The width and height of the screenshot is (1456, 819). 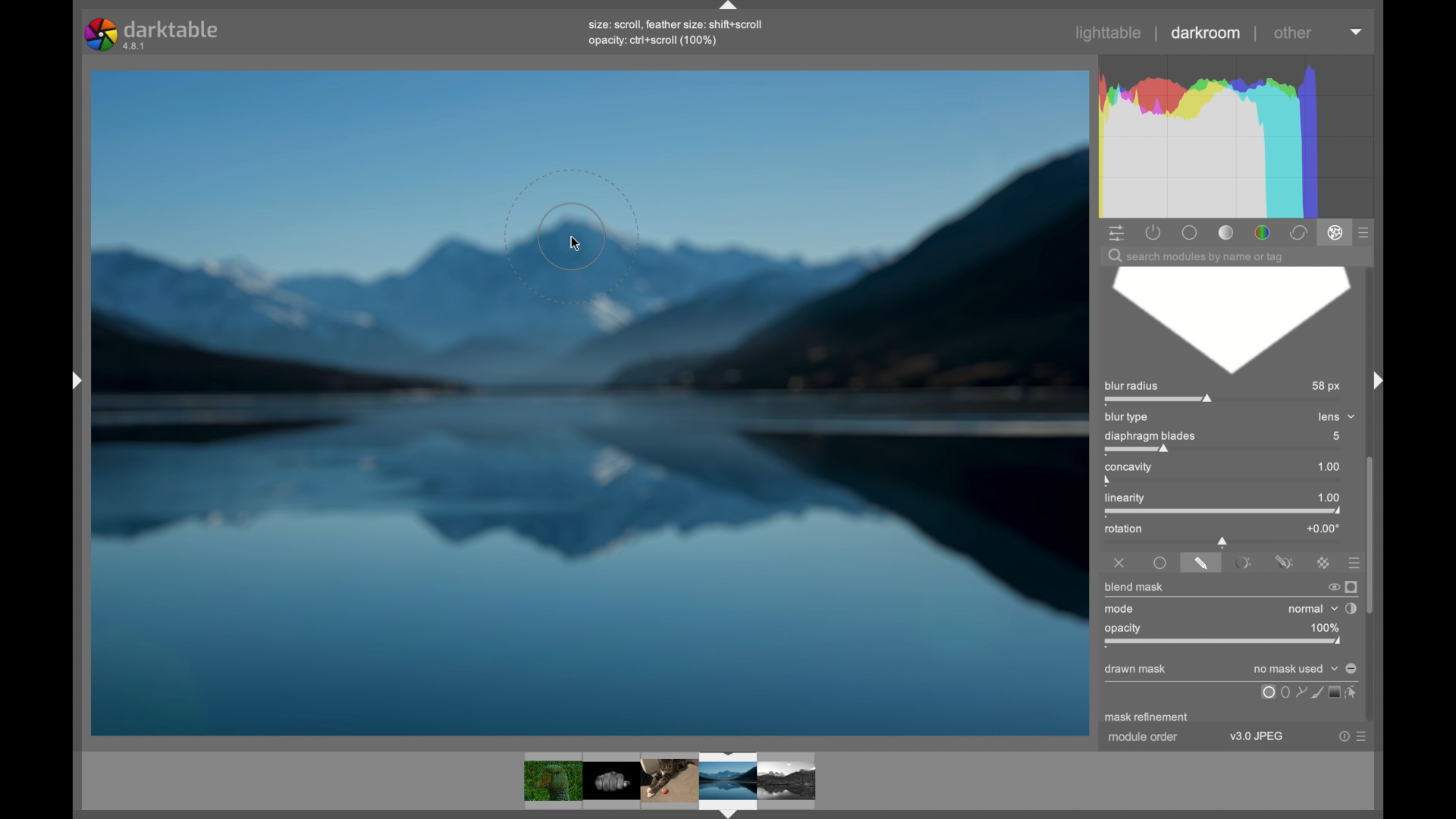 I want to click on 1.00, so click(x=1330, y=497).